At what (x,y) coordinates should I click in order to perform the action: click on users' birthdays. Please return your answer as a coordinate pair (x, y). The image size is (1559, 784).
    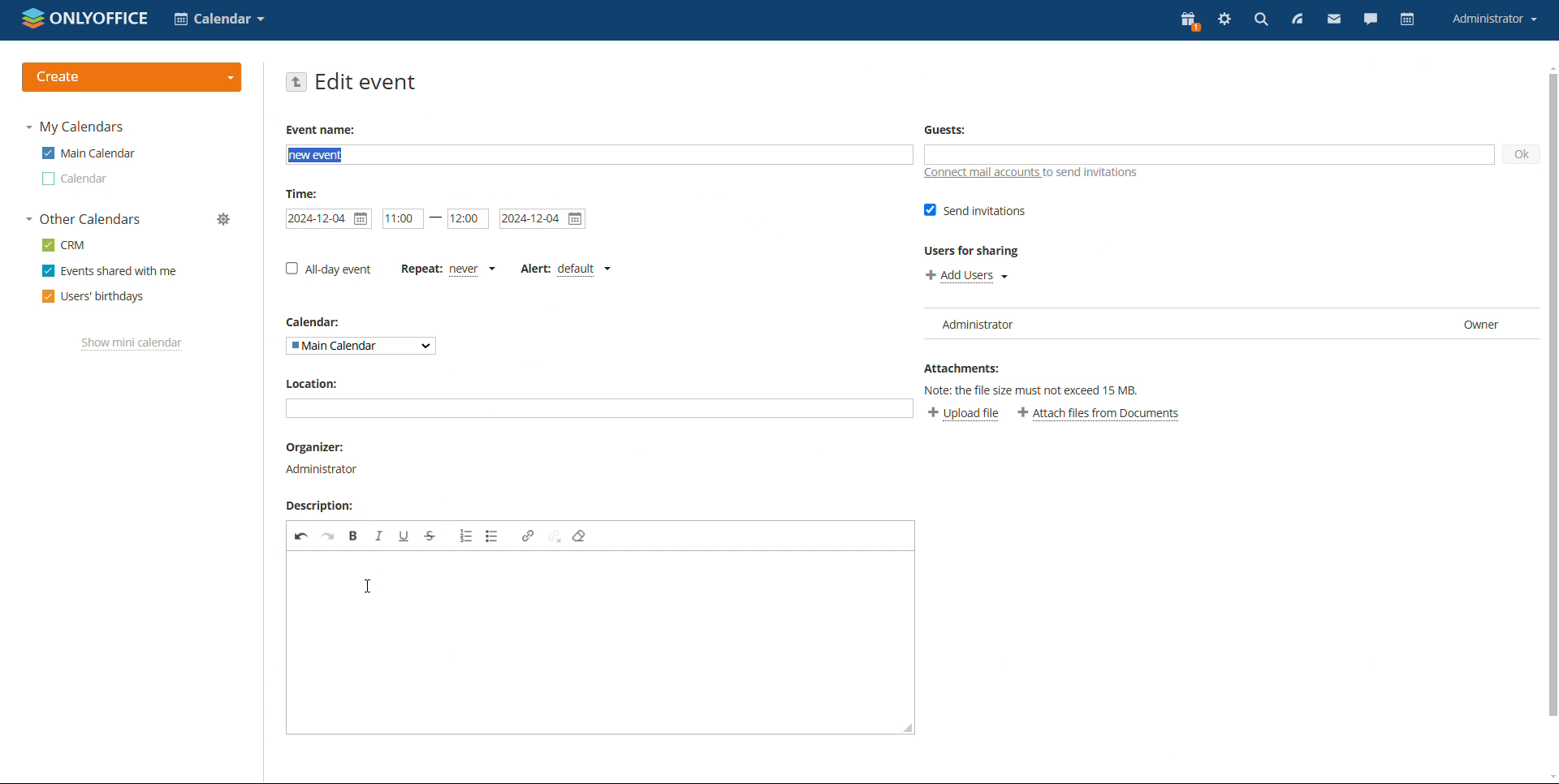
    Looking at the image, I should click on (92, 296).